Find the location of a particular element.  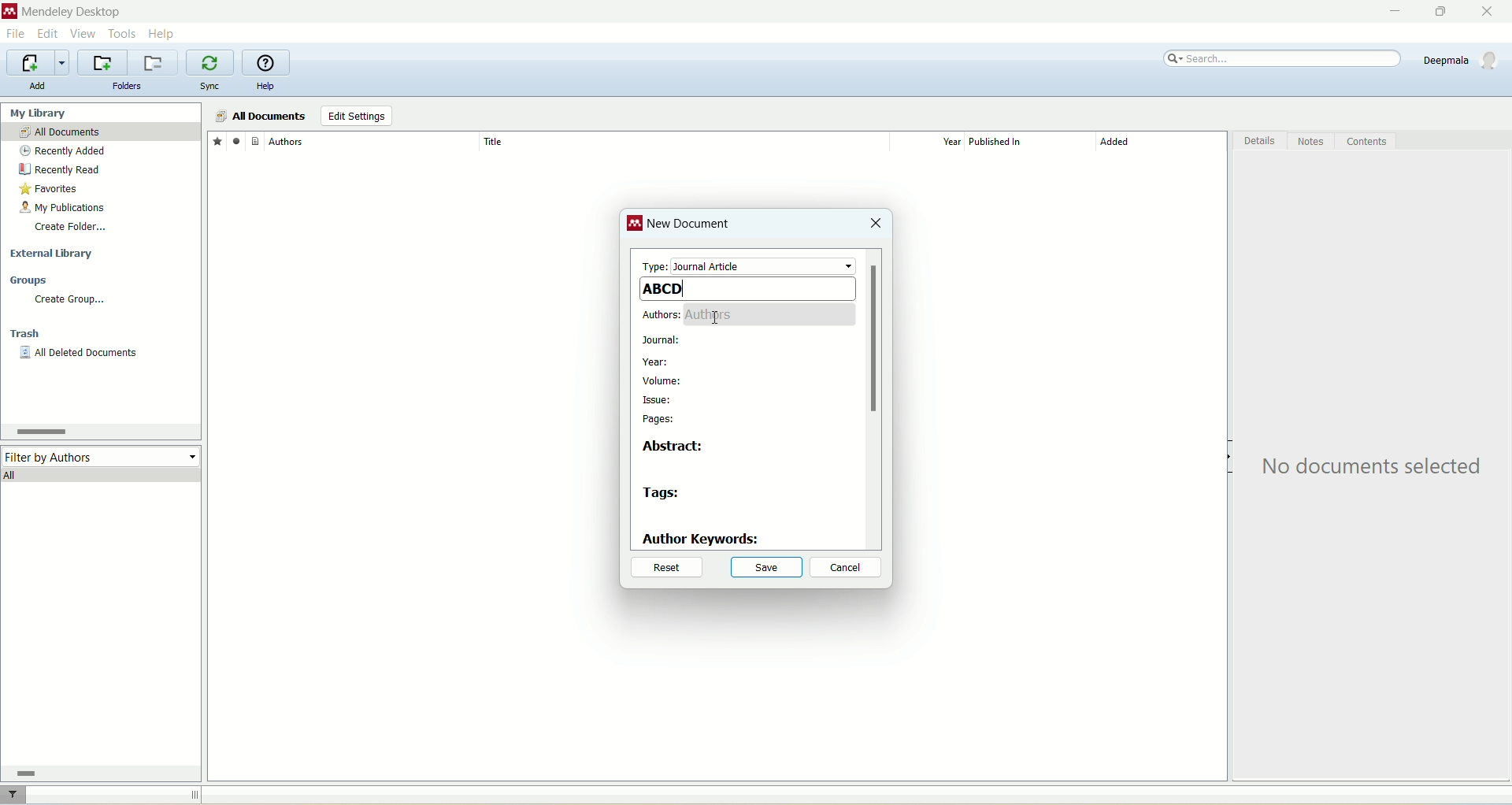

remove current folder is located at coordinates (155, 62).